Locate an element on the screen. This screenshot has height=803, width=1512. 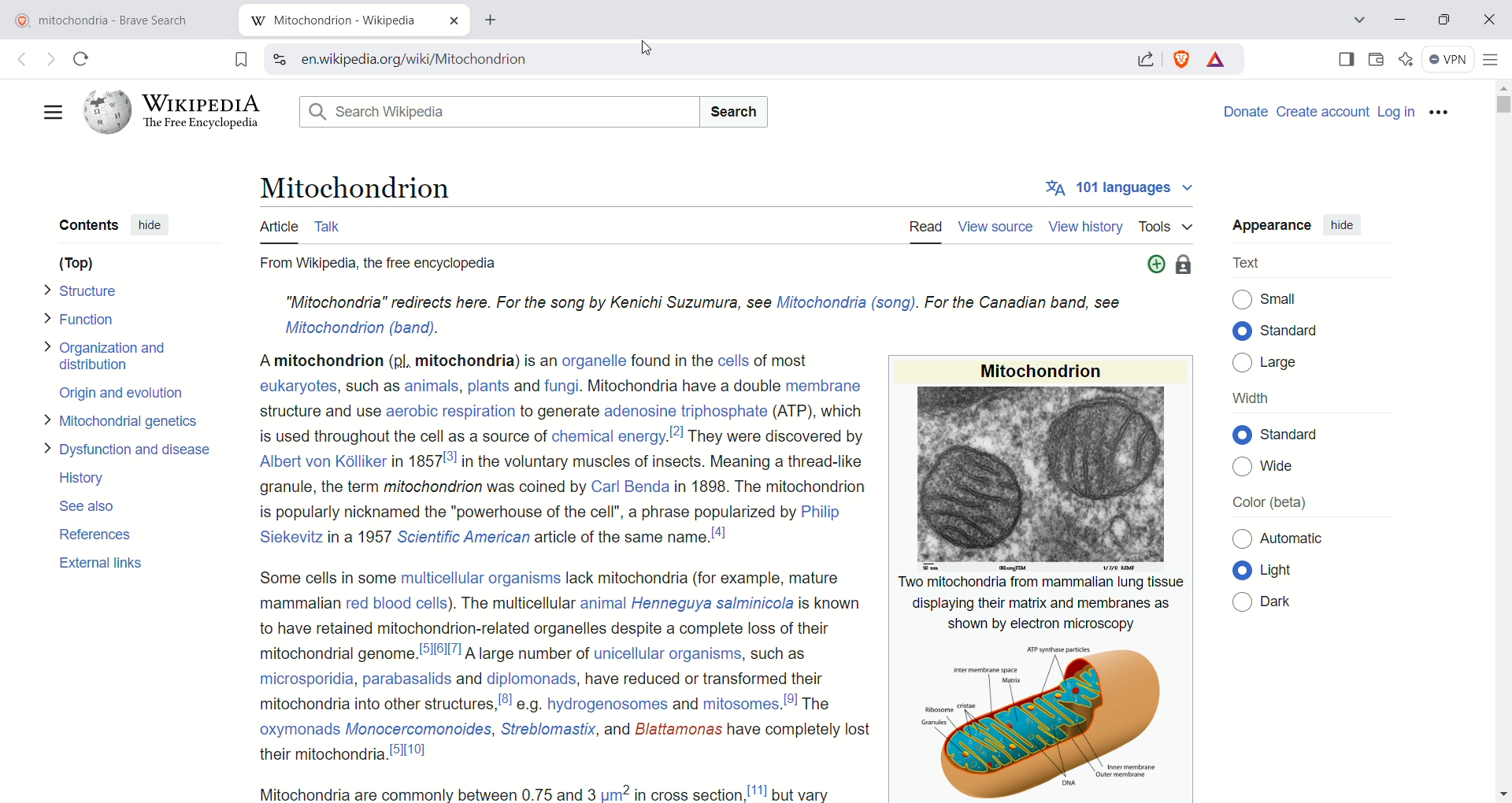
"Mitochondria" redirects here. For the song by Kenichi Suzumura, see Mitochondria (song). For the Canadian band, see
Mitochondrion (band). is located at coordinates (691, 312).